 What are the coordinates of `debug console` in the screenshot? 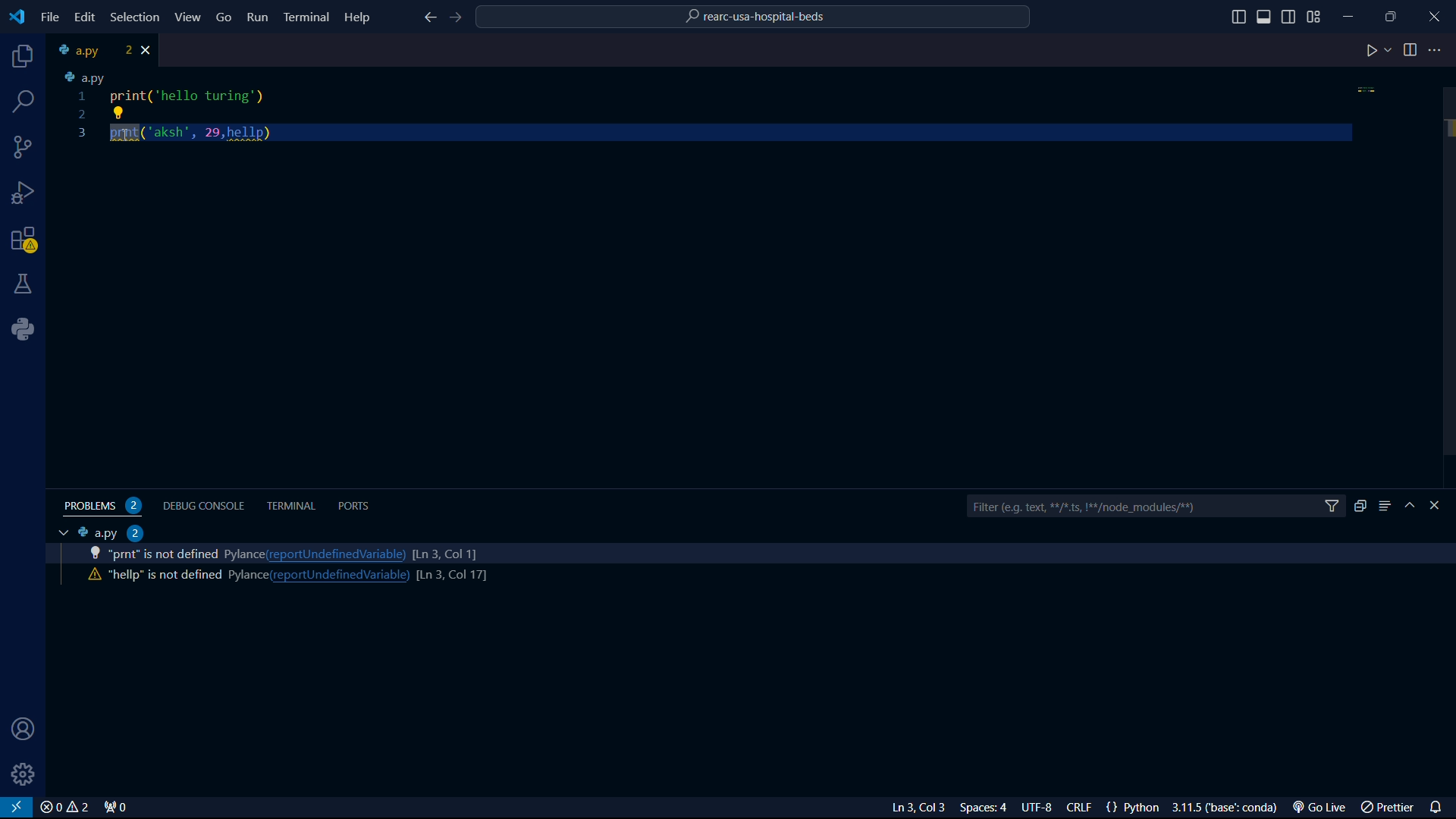 It's located at (206, 504).